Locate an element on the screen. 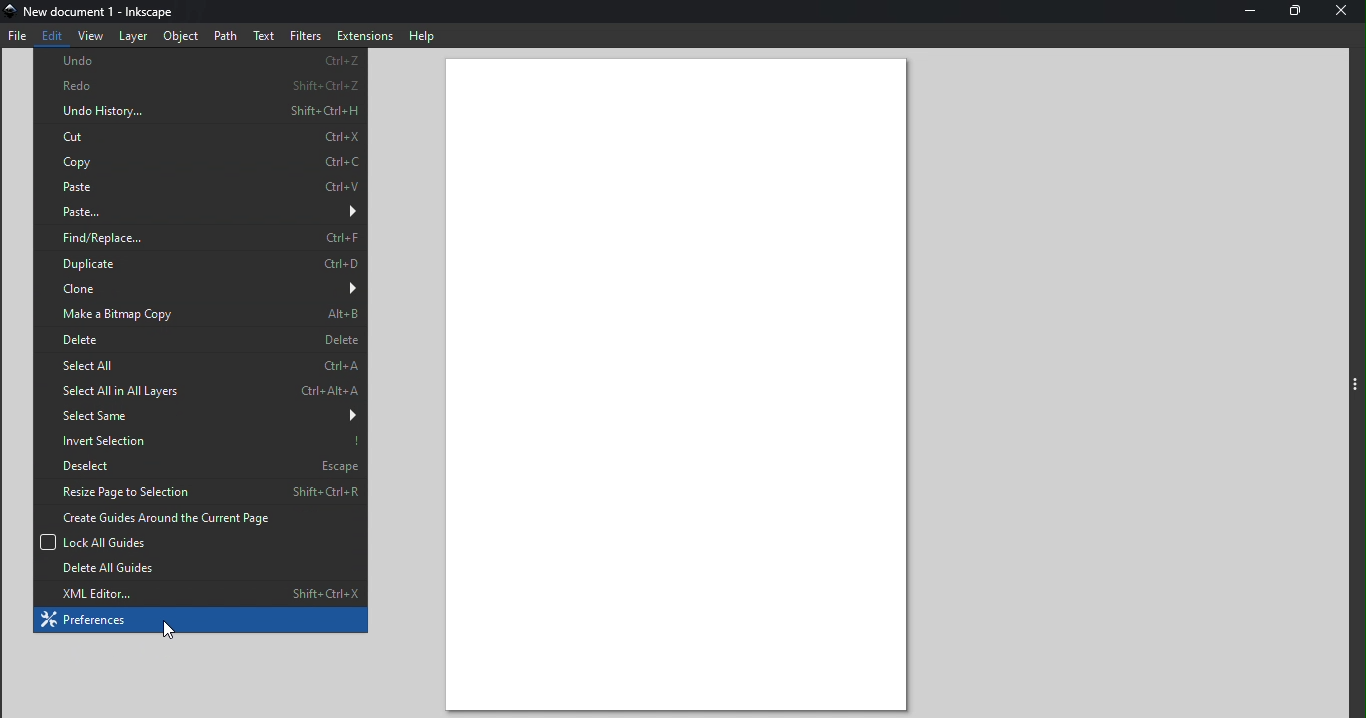  Create guides around the current page is located at coordinates (199, 517).